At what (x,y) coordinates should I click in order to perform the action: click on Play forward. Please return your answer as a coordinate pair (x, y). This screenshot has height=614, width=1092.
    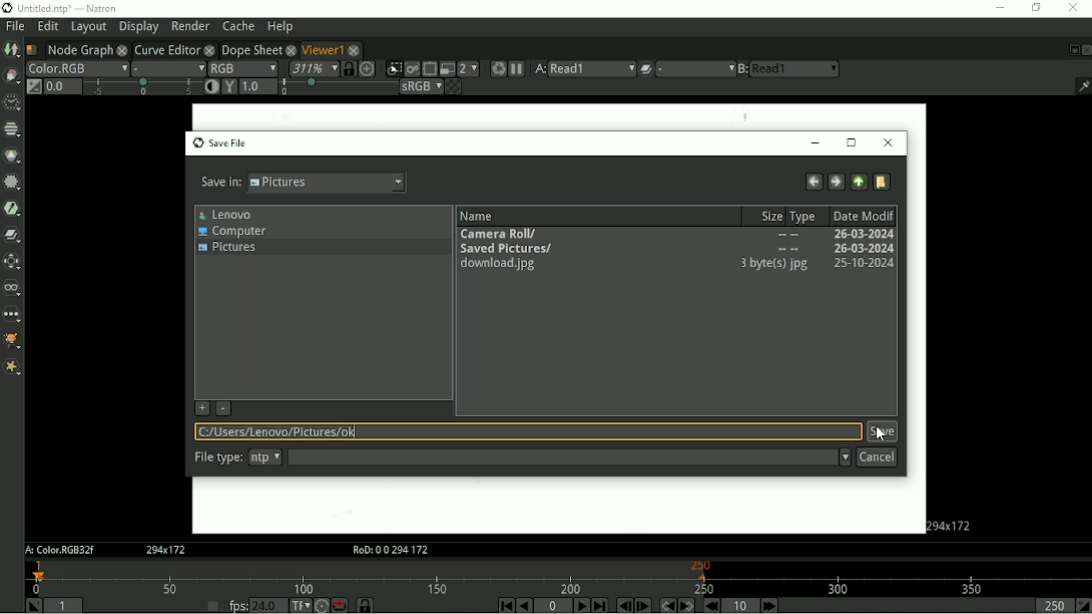
    Looking at the image, I should click on (581, 605).